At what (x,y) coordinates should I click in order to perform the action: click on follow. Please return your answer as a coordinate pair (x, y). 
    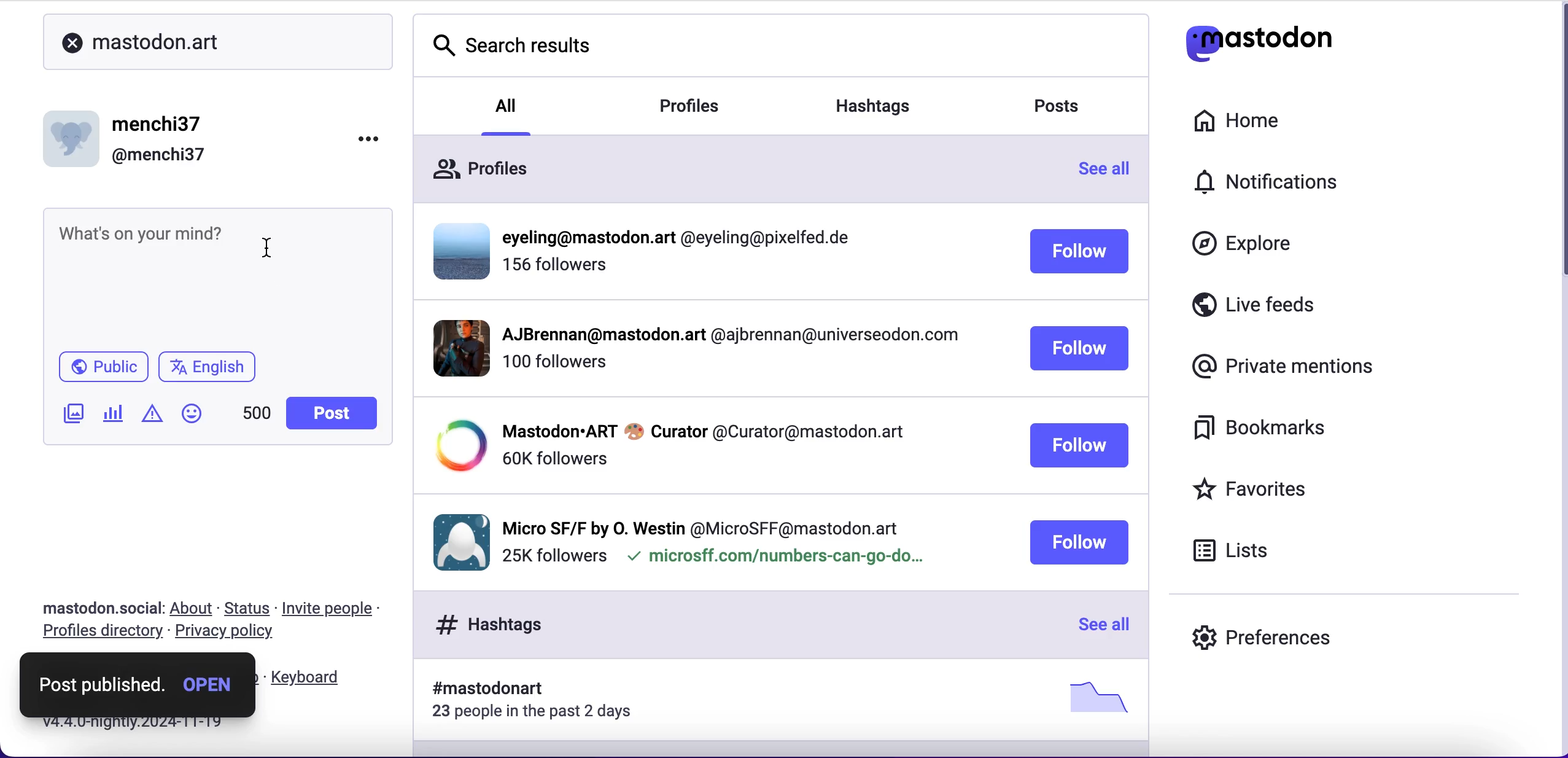
    Looking at the image, I should click on (1079, 253).